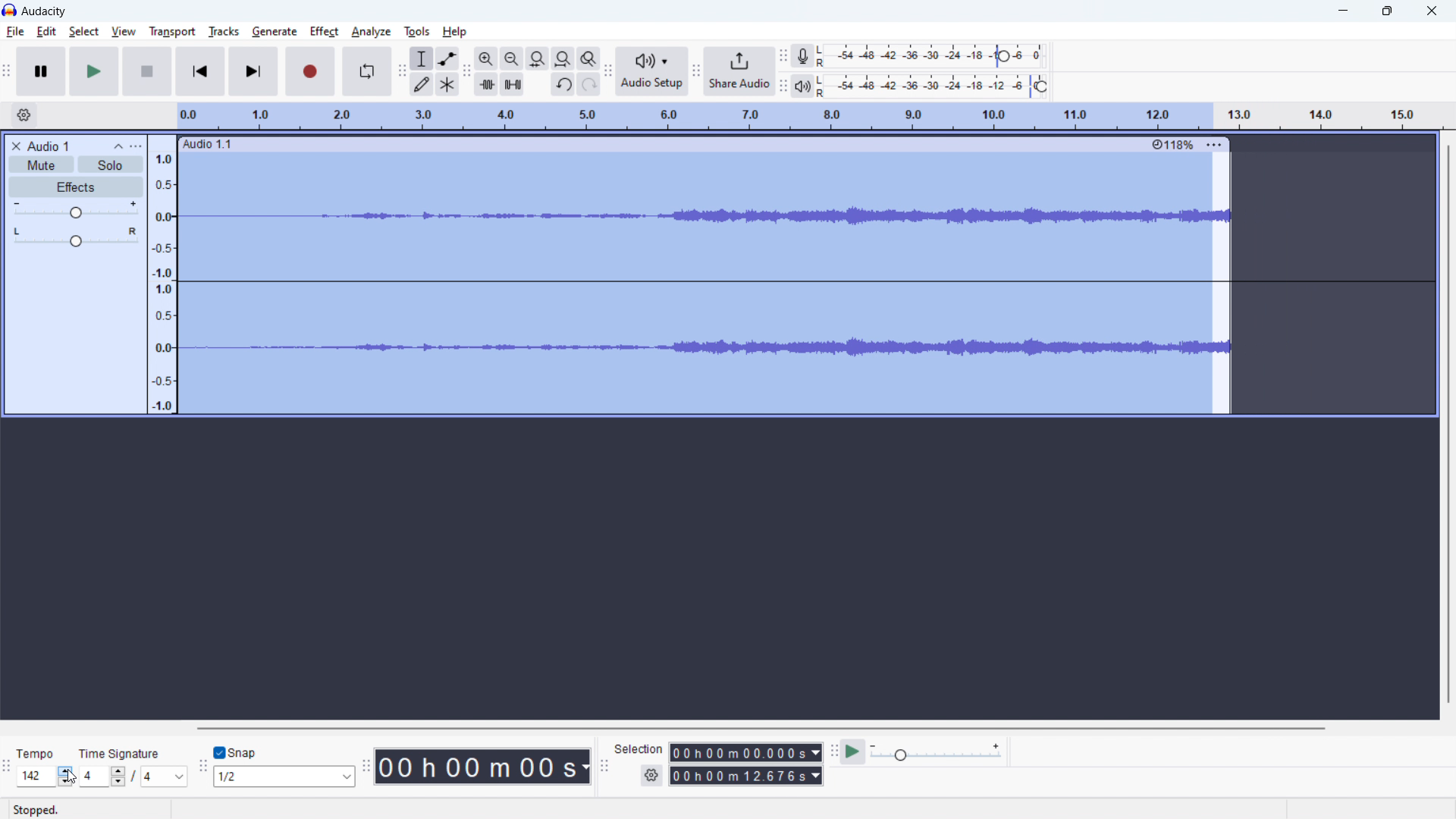 This screenshot has height=819, width=1456. What do you see at coordinates (1387, 11) in the screenshot?
I see `Restore` at bounding box center [1387, 11].